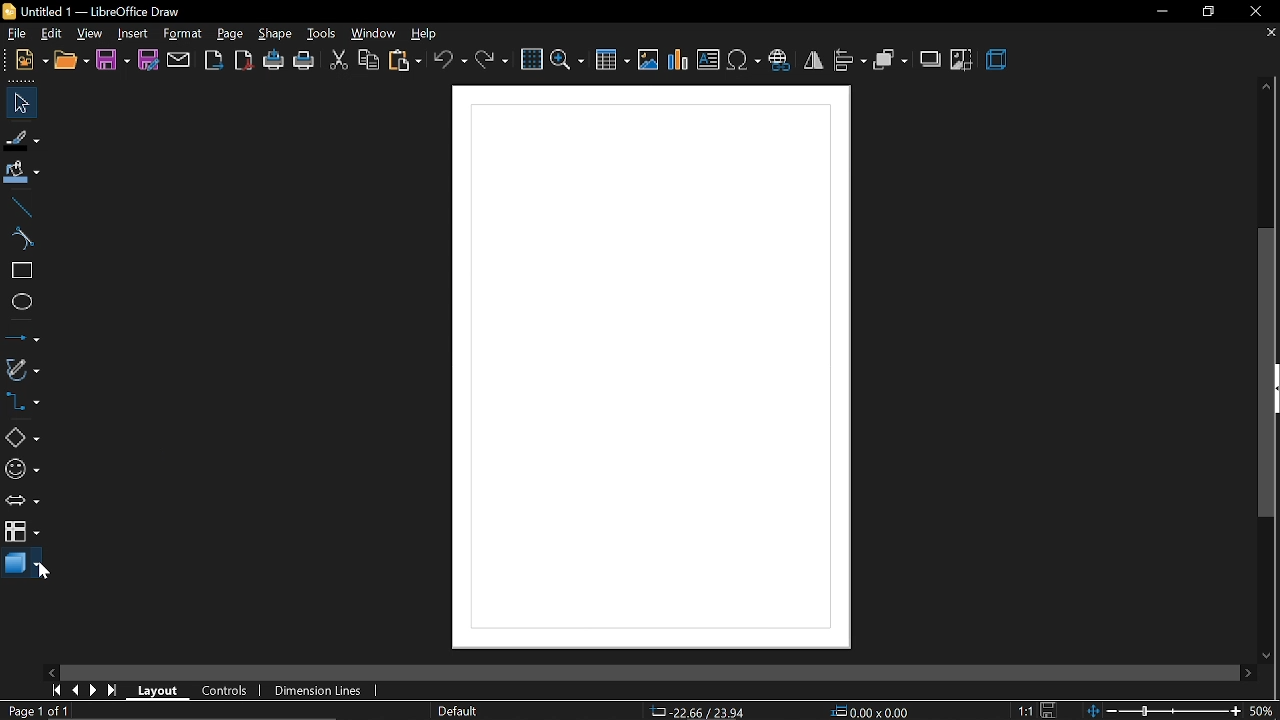  Describe the element at coordinates (782, 60) in the screenshot. I see `insert hyperlink` at that location.